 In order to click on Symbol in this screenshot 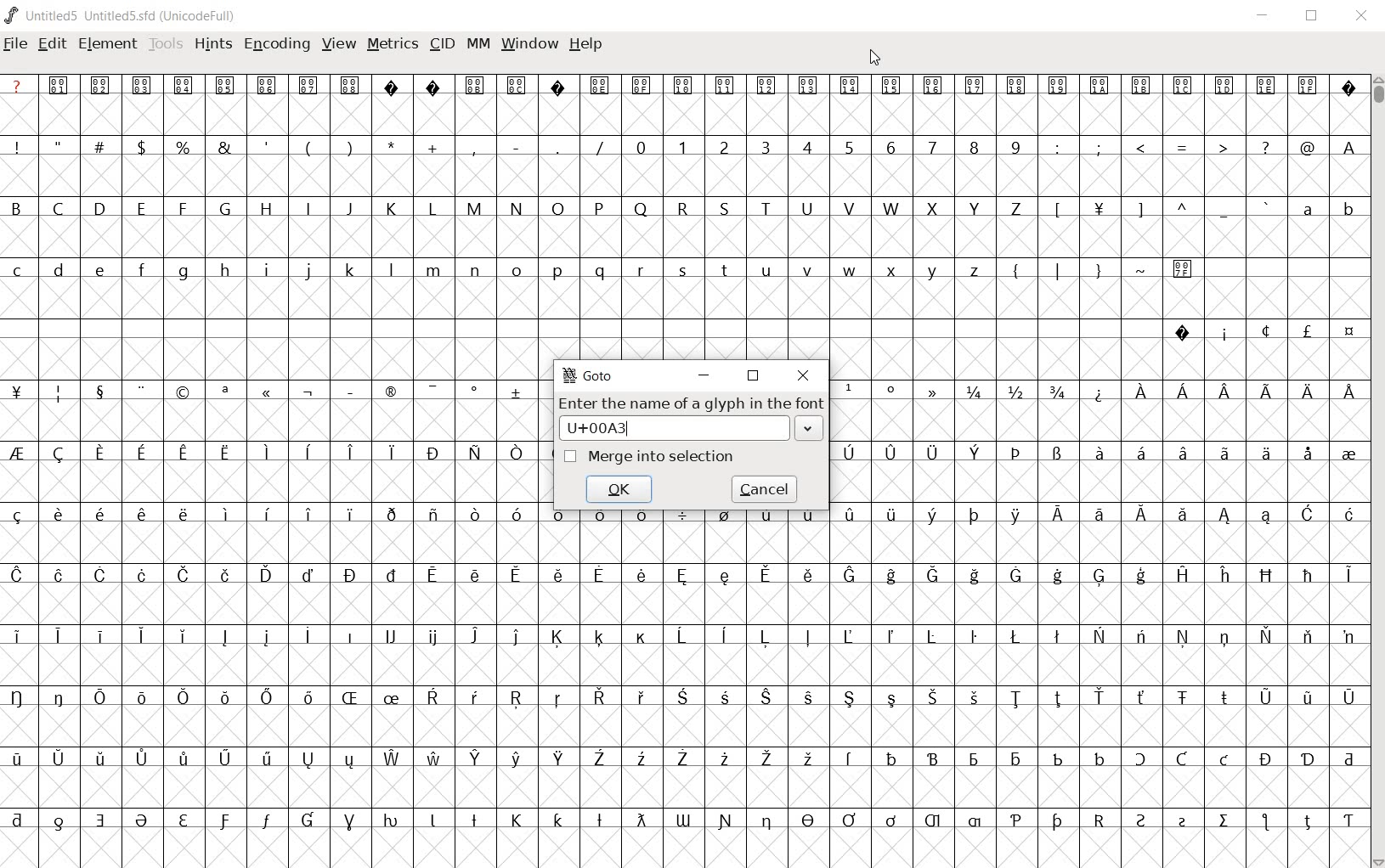, I will do `click(848, 391)`.